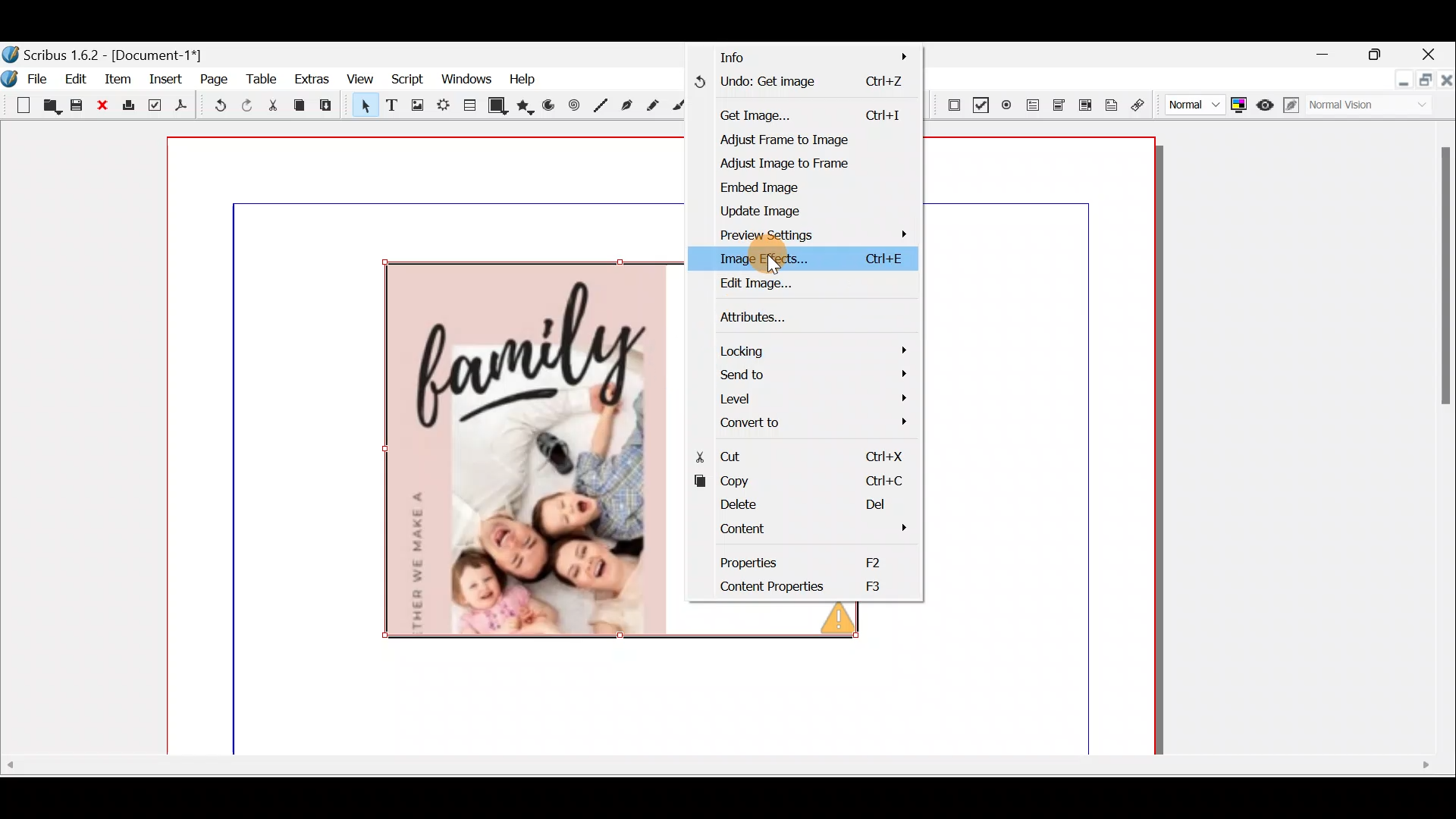 The image size is (1456, 819). What do you see at coordinates (463, 80) in the screenshot?
I see `Windows` at bounding box center [463, 80].